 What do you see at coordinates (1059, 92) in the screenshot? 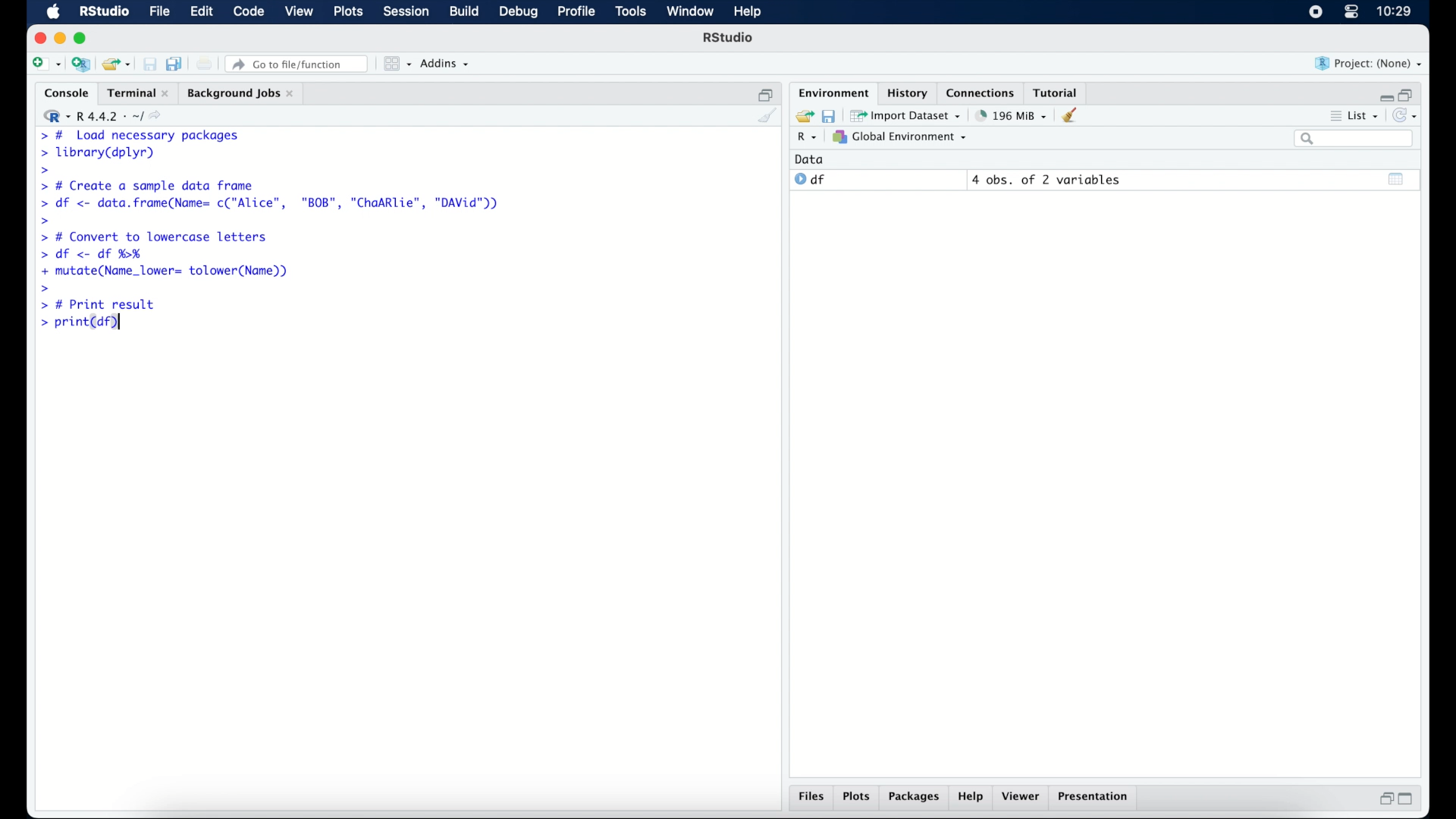
I see `tutorial` at bounding box center [1059, 92].